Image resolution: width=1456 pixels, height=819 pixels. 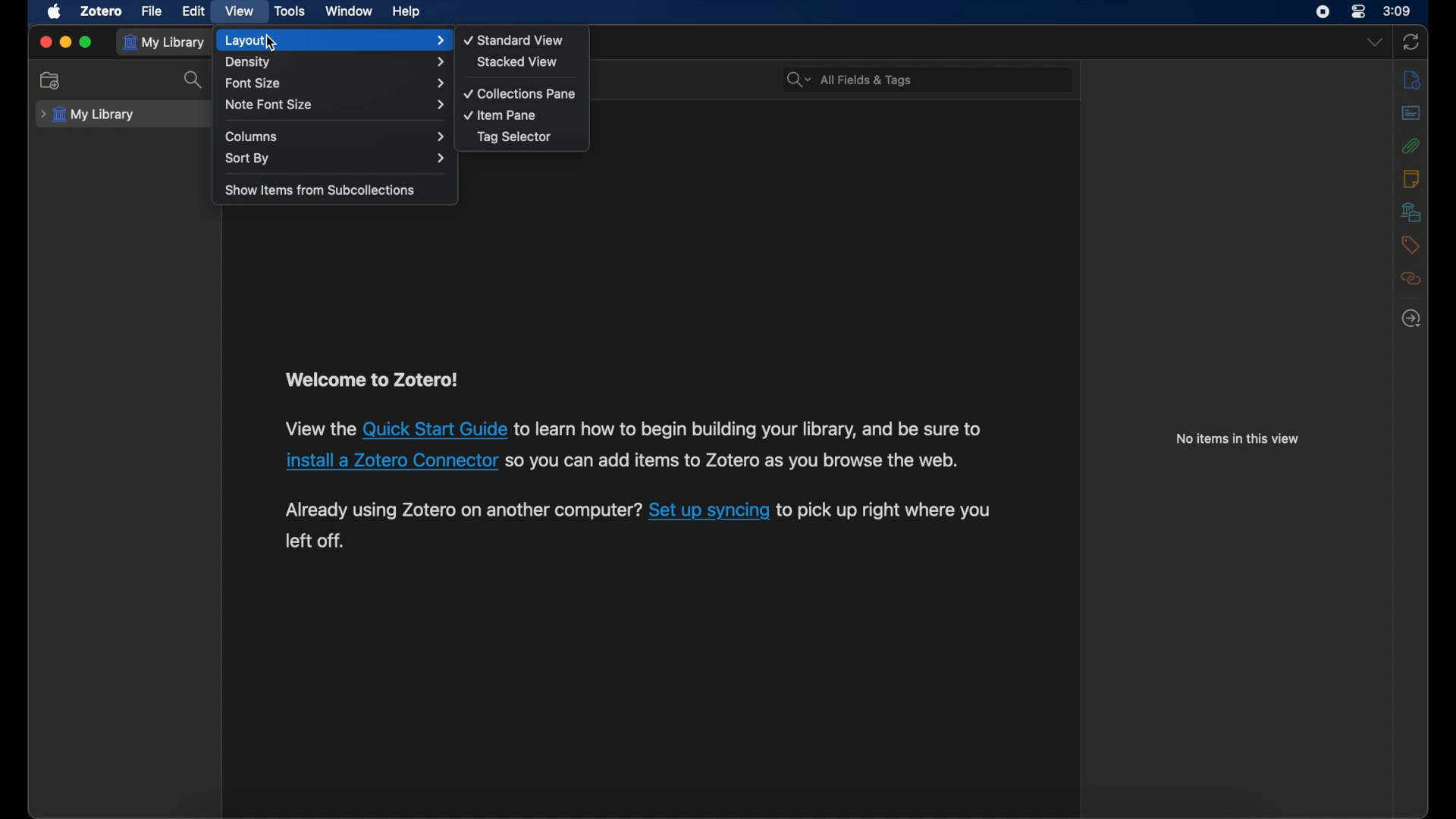 What do you see at coordinates (193, 11) in the screenshot?
I see `edit` at bounding box center [193, 11].